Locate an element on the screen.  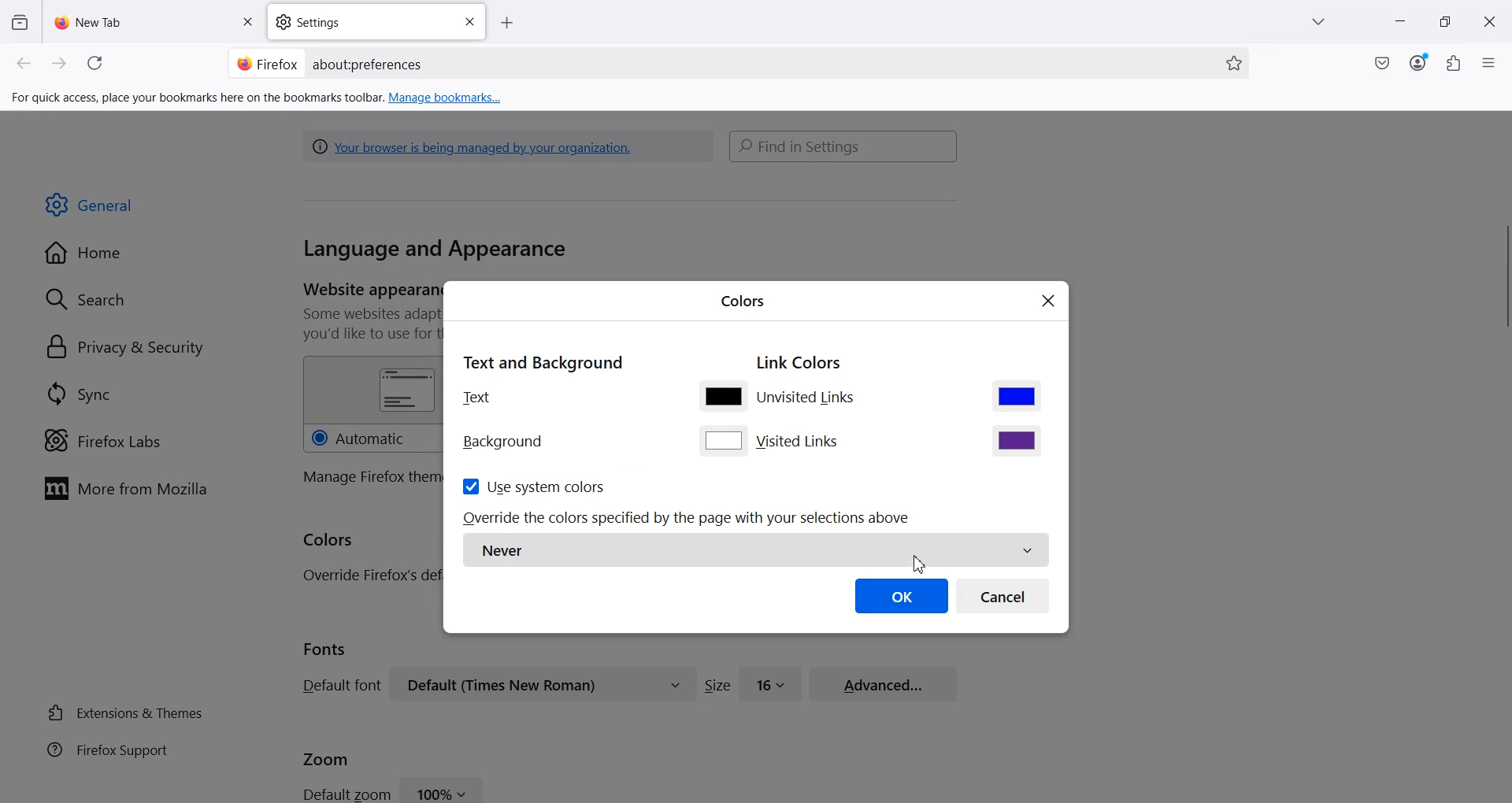
Cursor is located at coordinates (918, 563).